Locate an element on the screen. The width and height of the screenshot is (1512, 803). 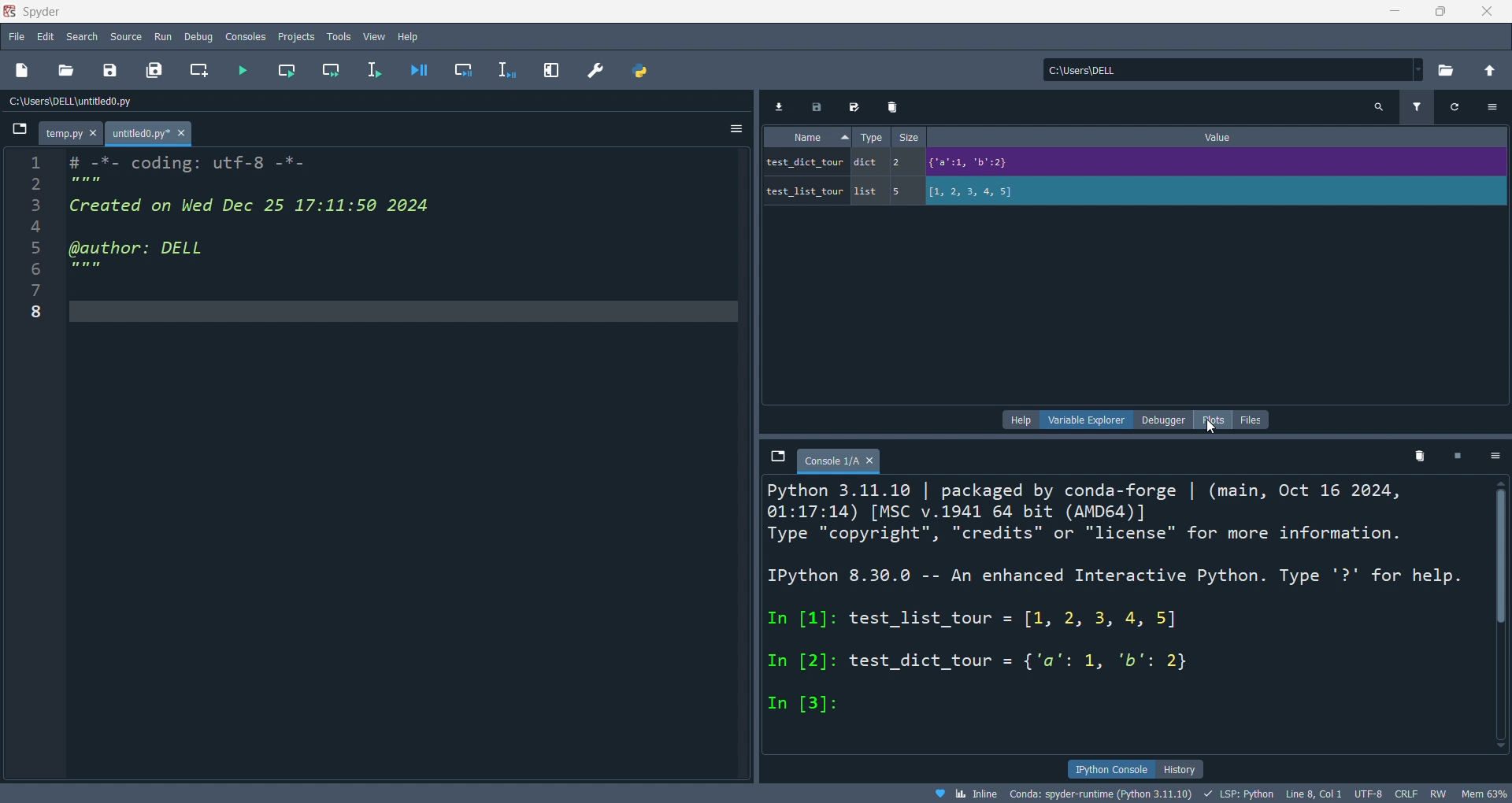
open parent folder is located at coordinates (1493, 72).